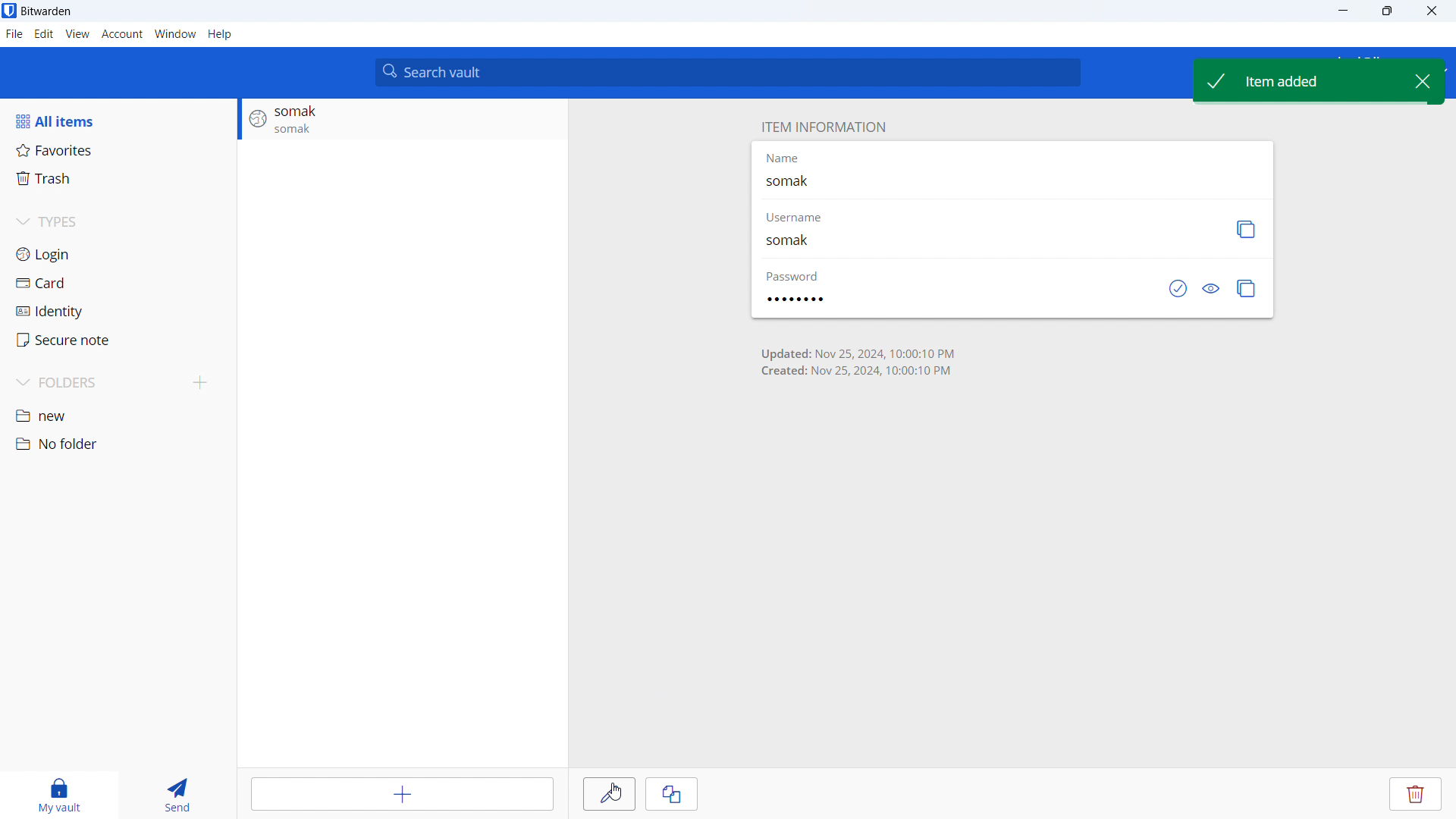 The height and width of the screenshot is (819, 1456). What do you see at coordinates (118, 417) in the screenshot?
I see `new` at bounding box center [118, 417].